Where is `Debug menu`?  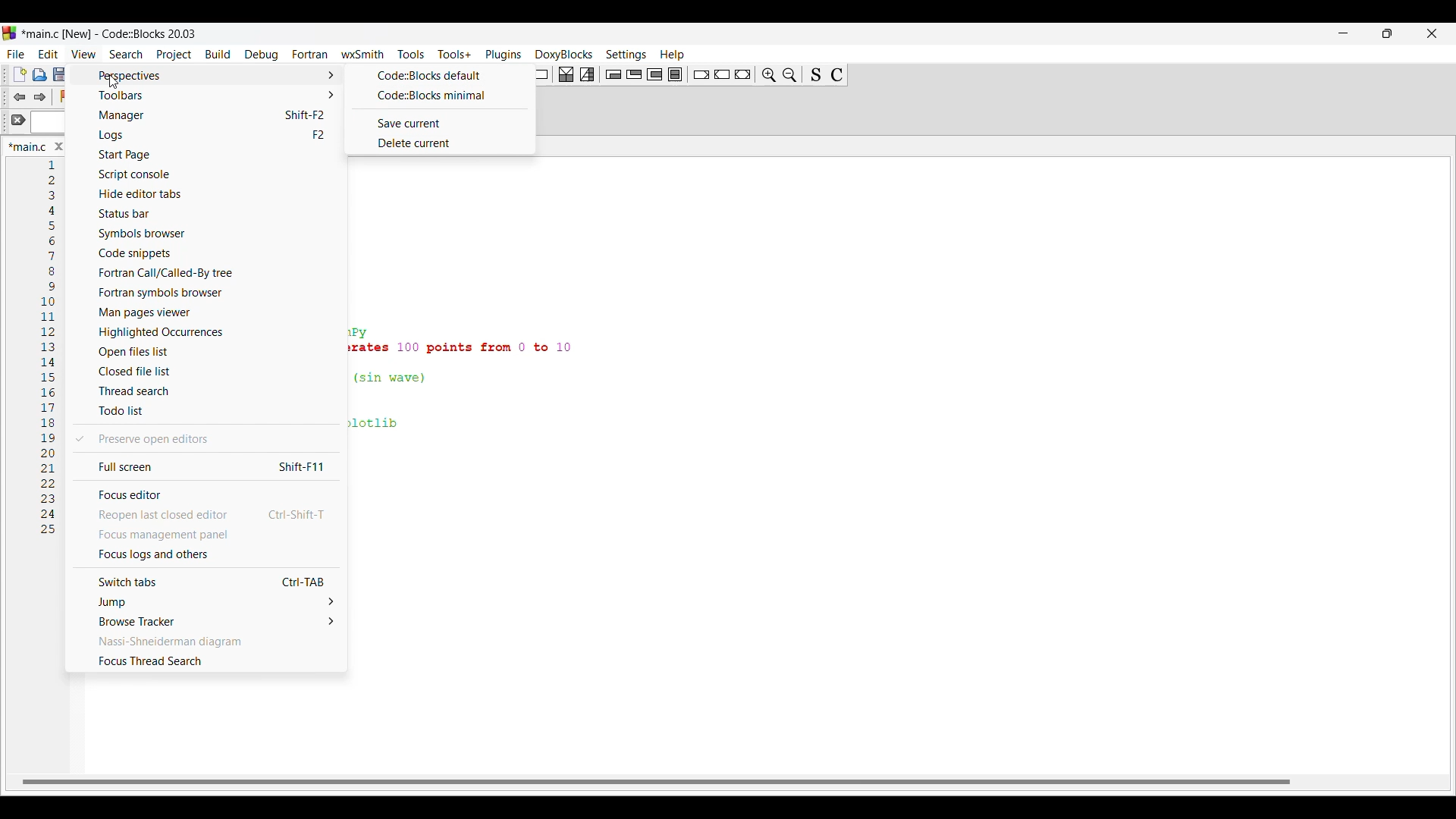
Debug menu is located at coordinates (262, 55).